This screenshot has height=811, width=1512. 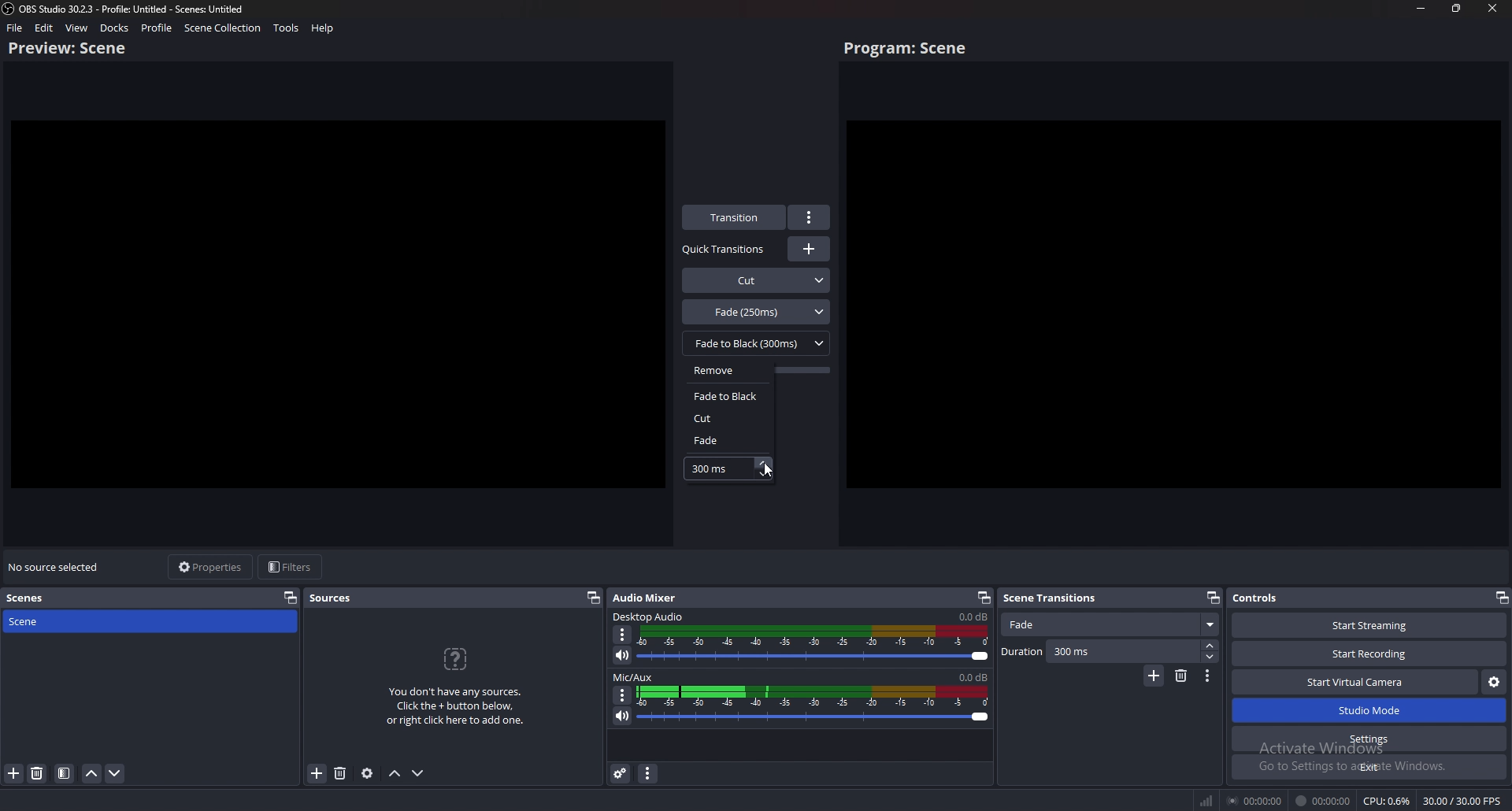 What do you see at coordinates (1253, 802) in the screenshot?
I see `00:00:00` at bounding box center [1253, 802].